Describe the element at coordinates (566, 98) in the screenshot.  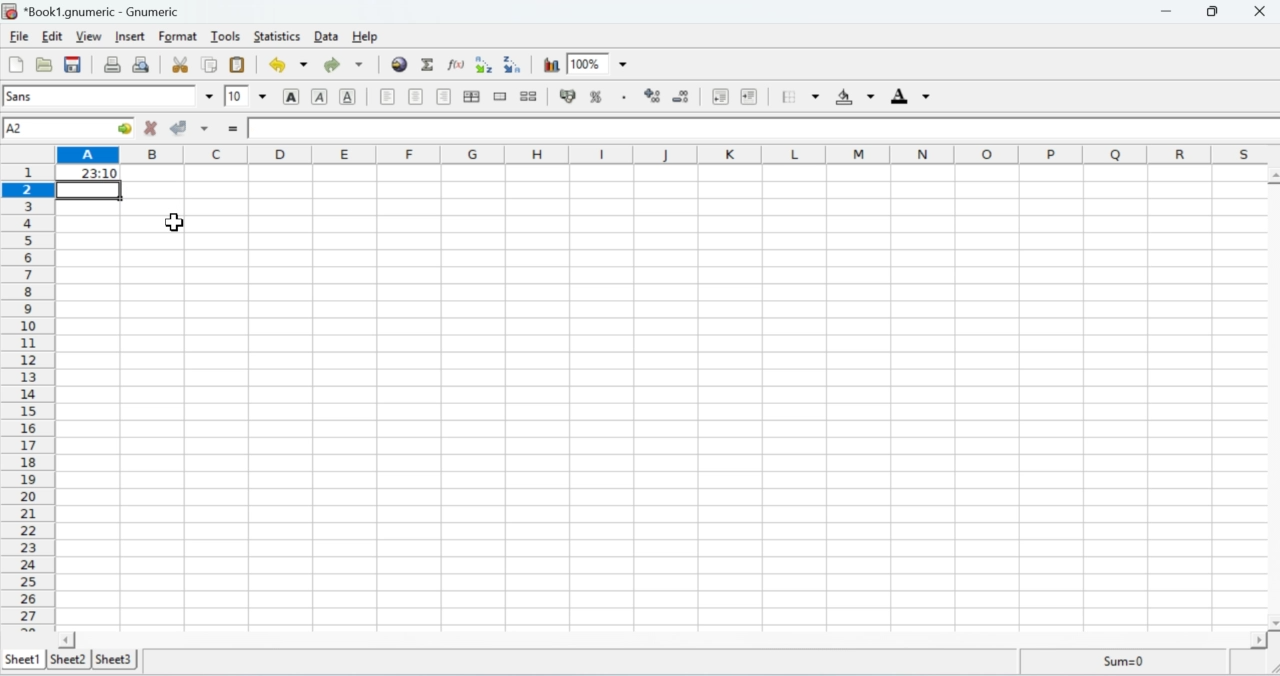
I see `` at that location.